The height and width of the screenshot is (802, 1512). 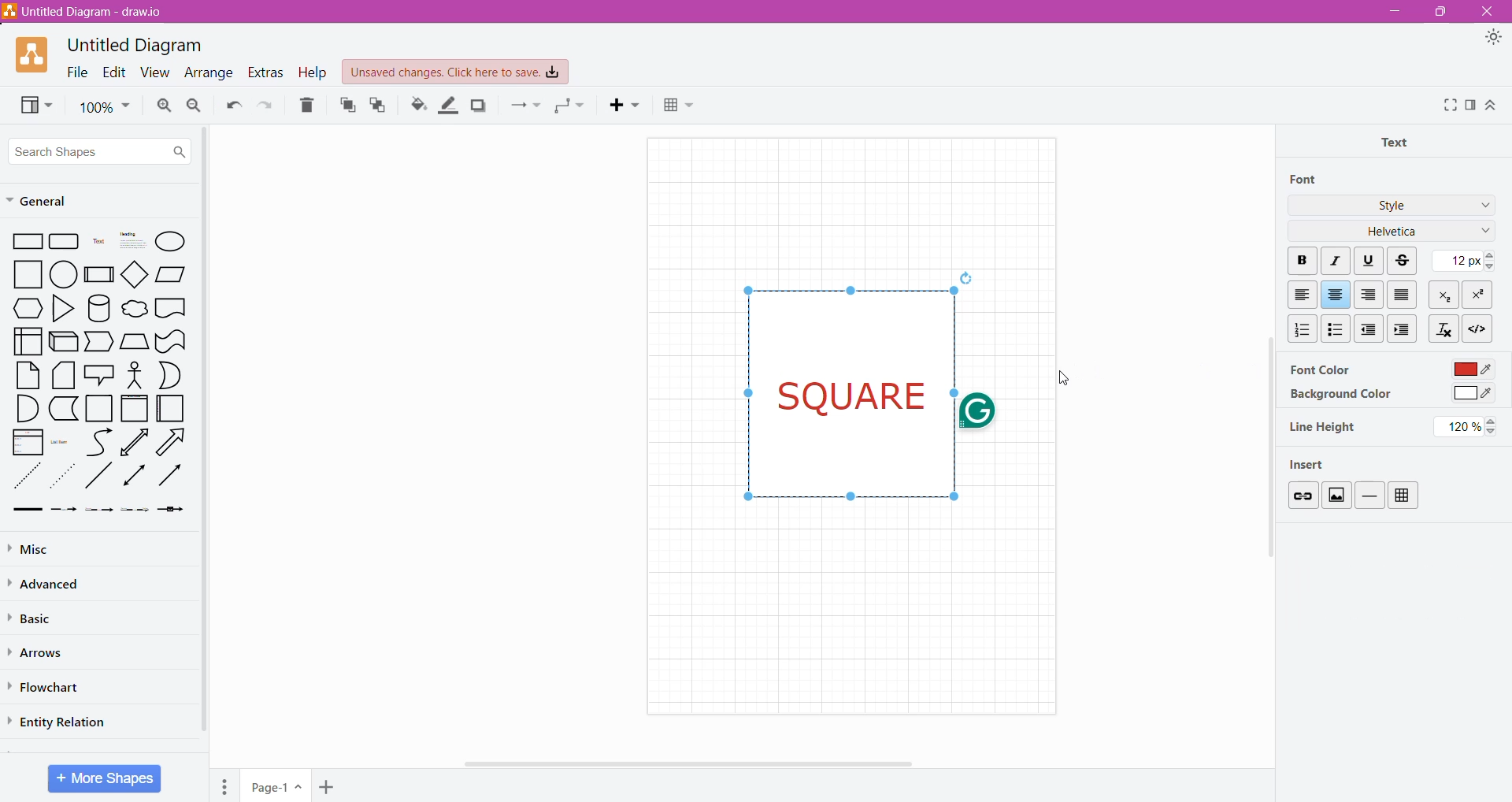 What do you see at coordinates (27, 308) in the screenshot?
I see `hexagon` at bounding box center [27, 308].